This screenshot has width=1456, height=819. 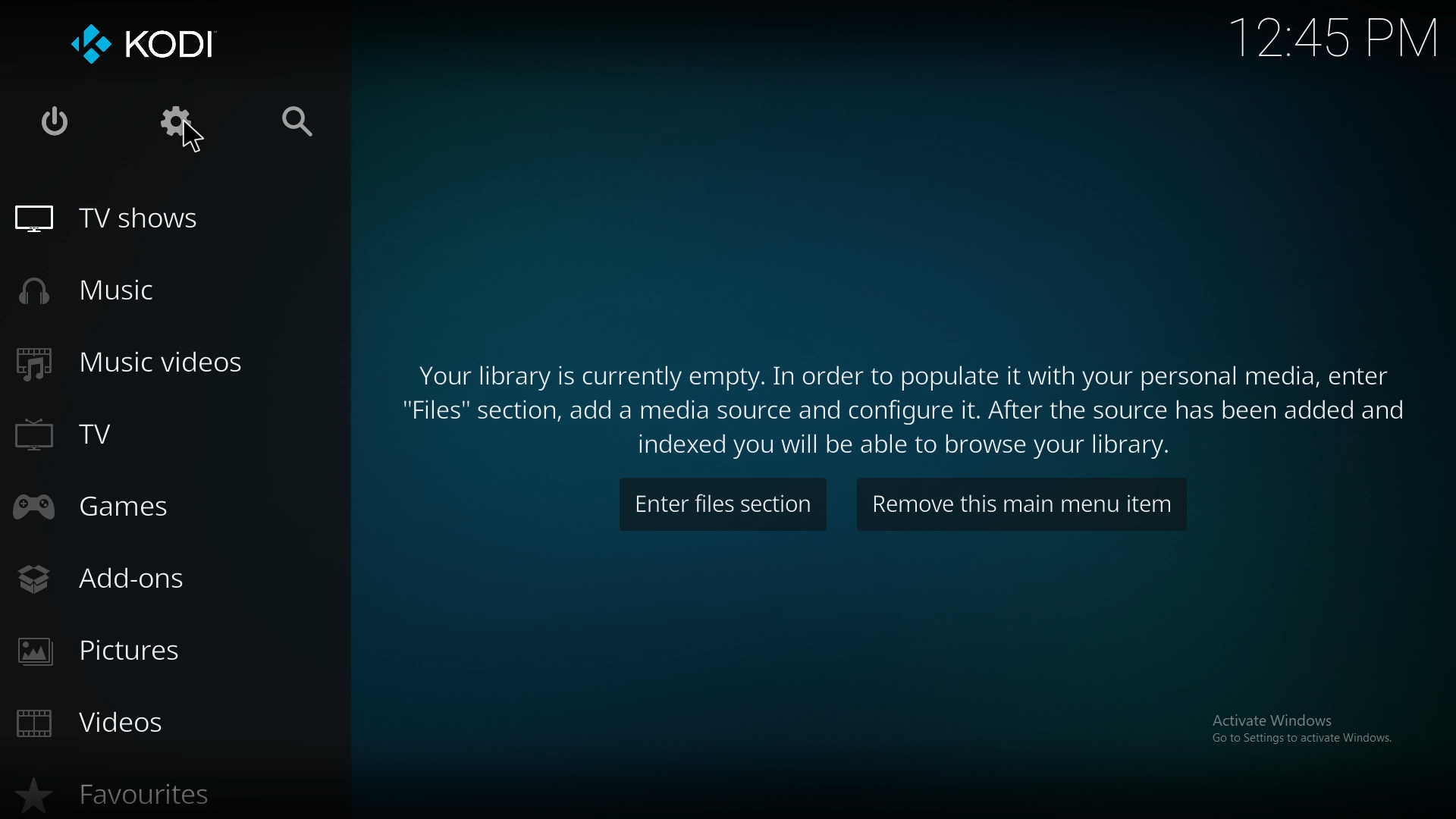 I want to click on enter files section, so click(x=722, y=504).